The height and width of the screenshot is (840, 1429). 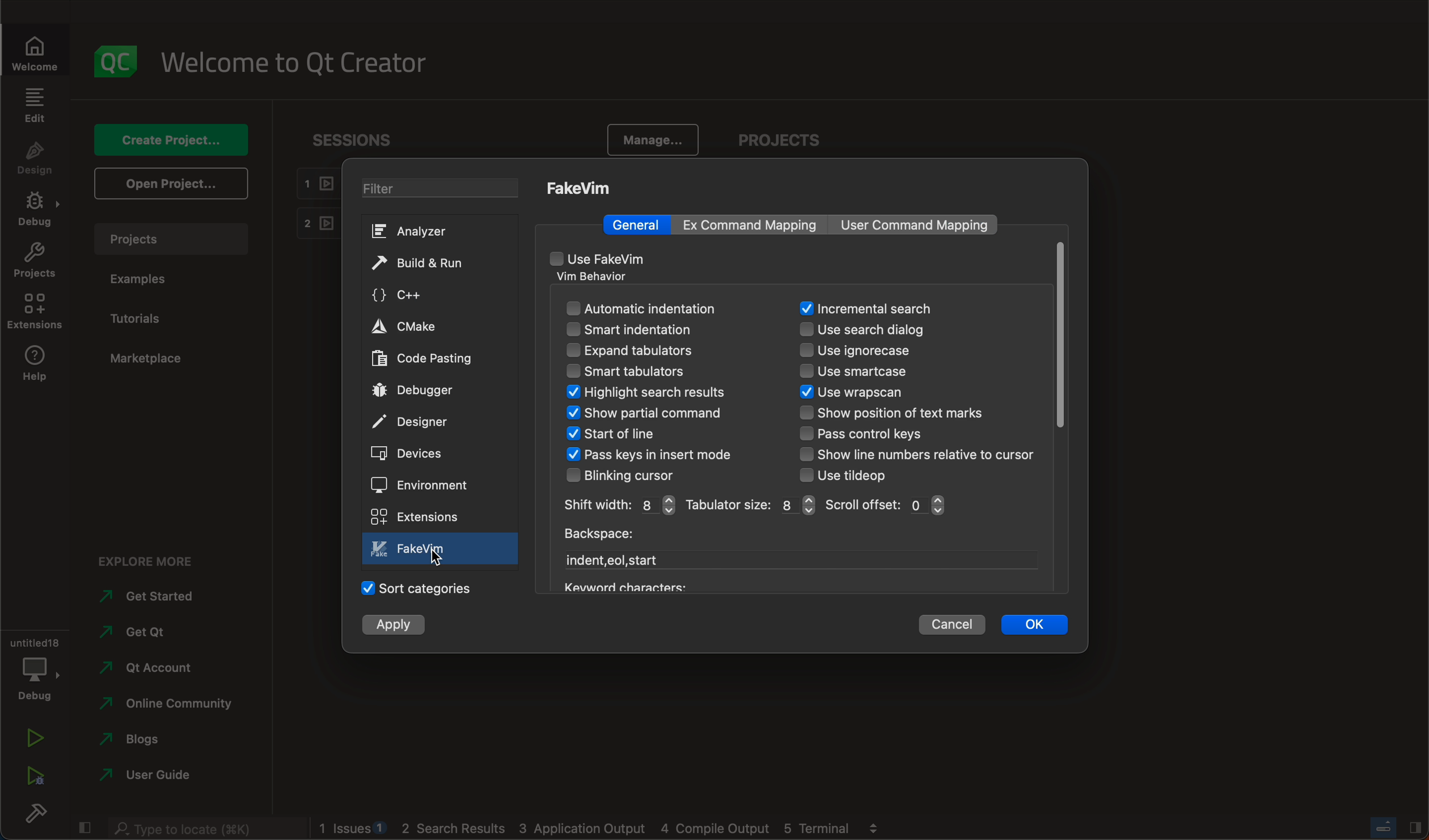 What do you see at coordinates (640, 224) in the screenshot?
I see `general` at bounding box center [640, 224].